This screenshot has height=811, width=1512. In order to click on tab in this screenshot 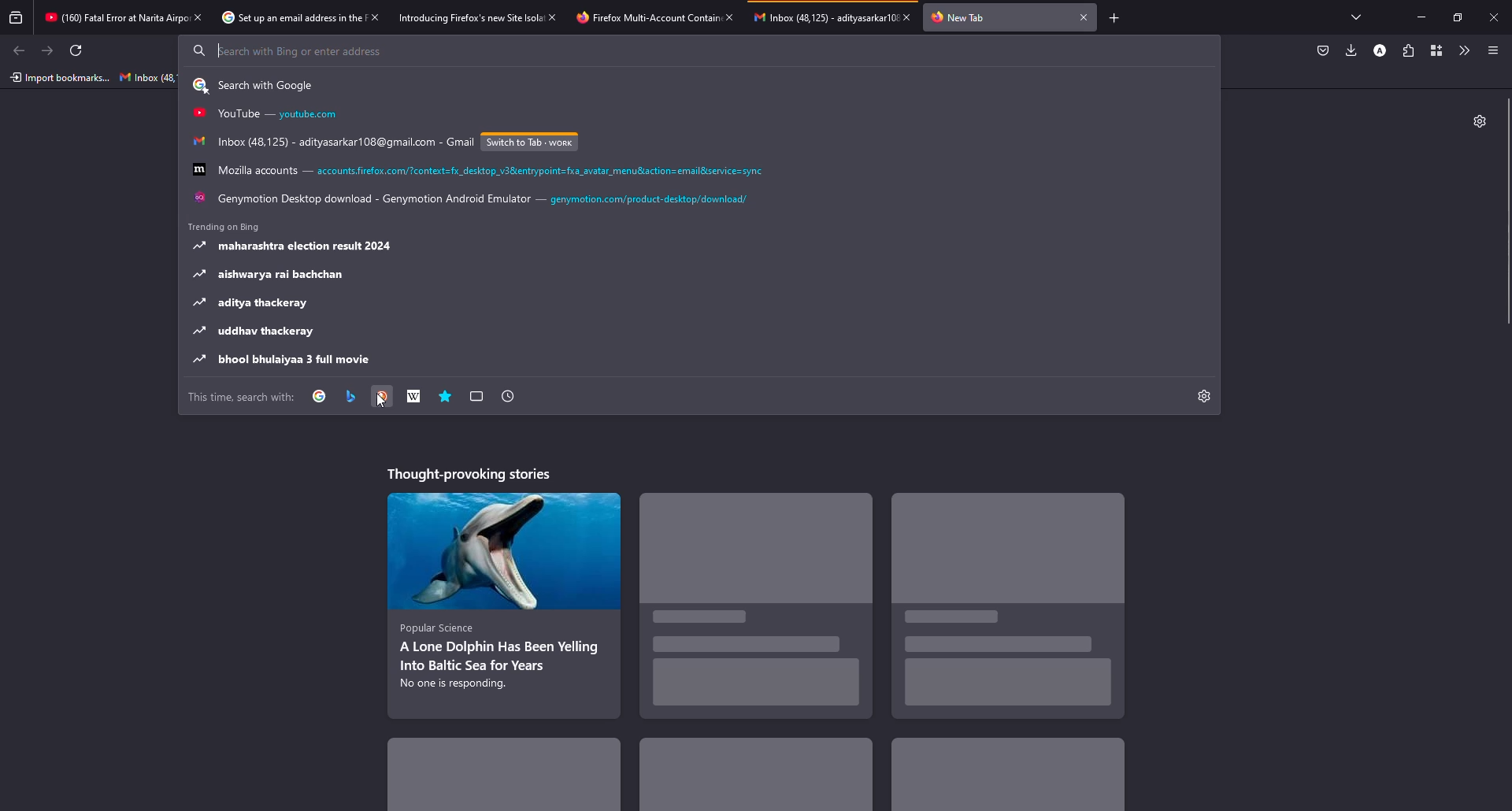, I will do `click(454, 17)`.